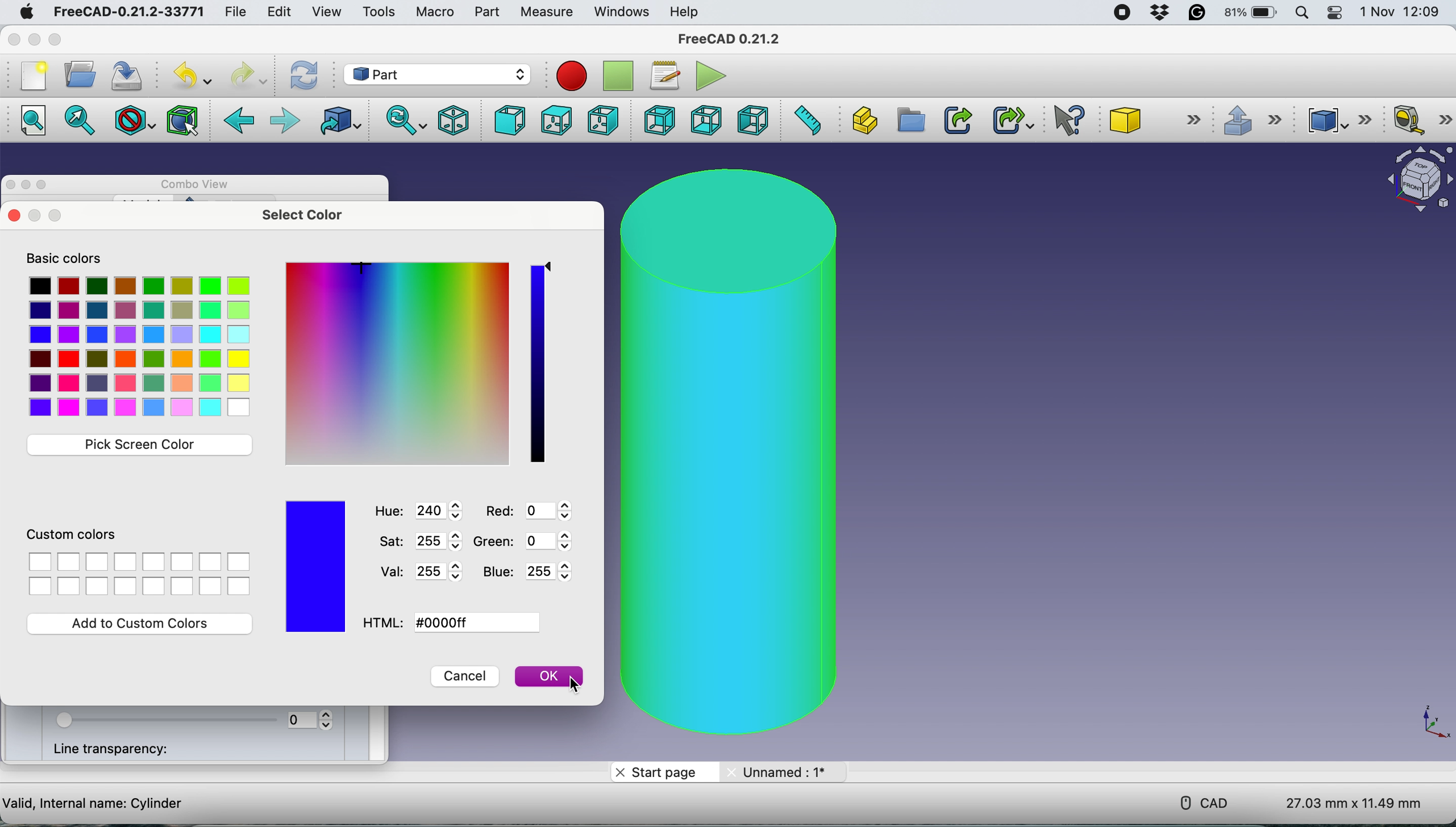 The image size is (1456, 827). Describe the element at coordinates (123, 75) in the screenshot. I see `save` at that location.